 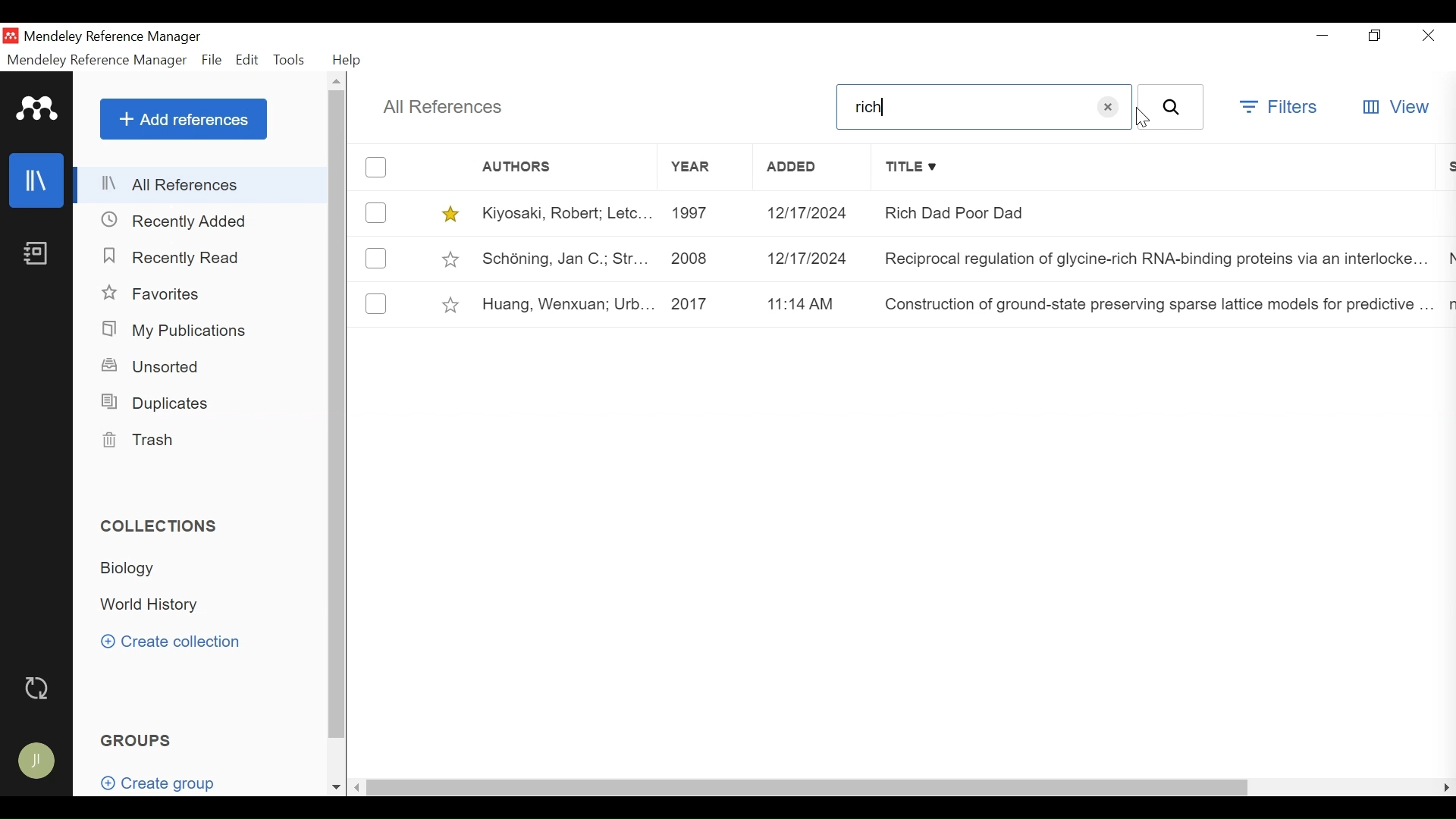 What do you see at coordinates (1172, 107) in the screenshot?
I see `Search` at bounding box center [1172, 107].